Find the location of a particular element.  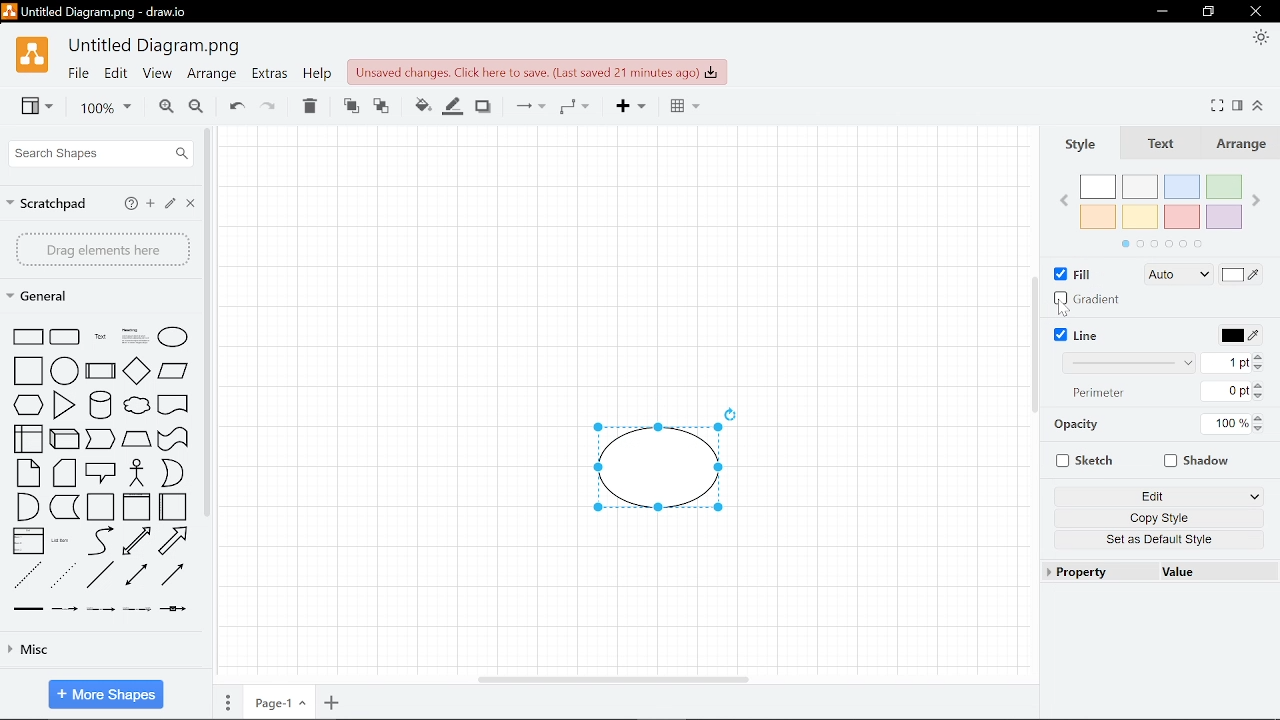

Click here to save is located at coordinates (539, 72).